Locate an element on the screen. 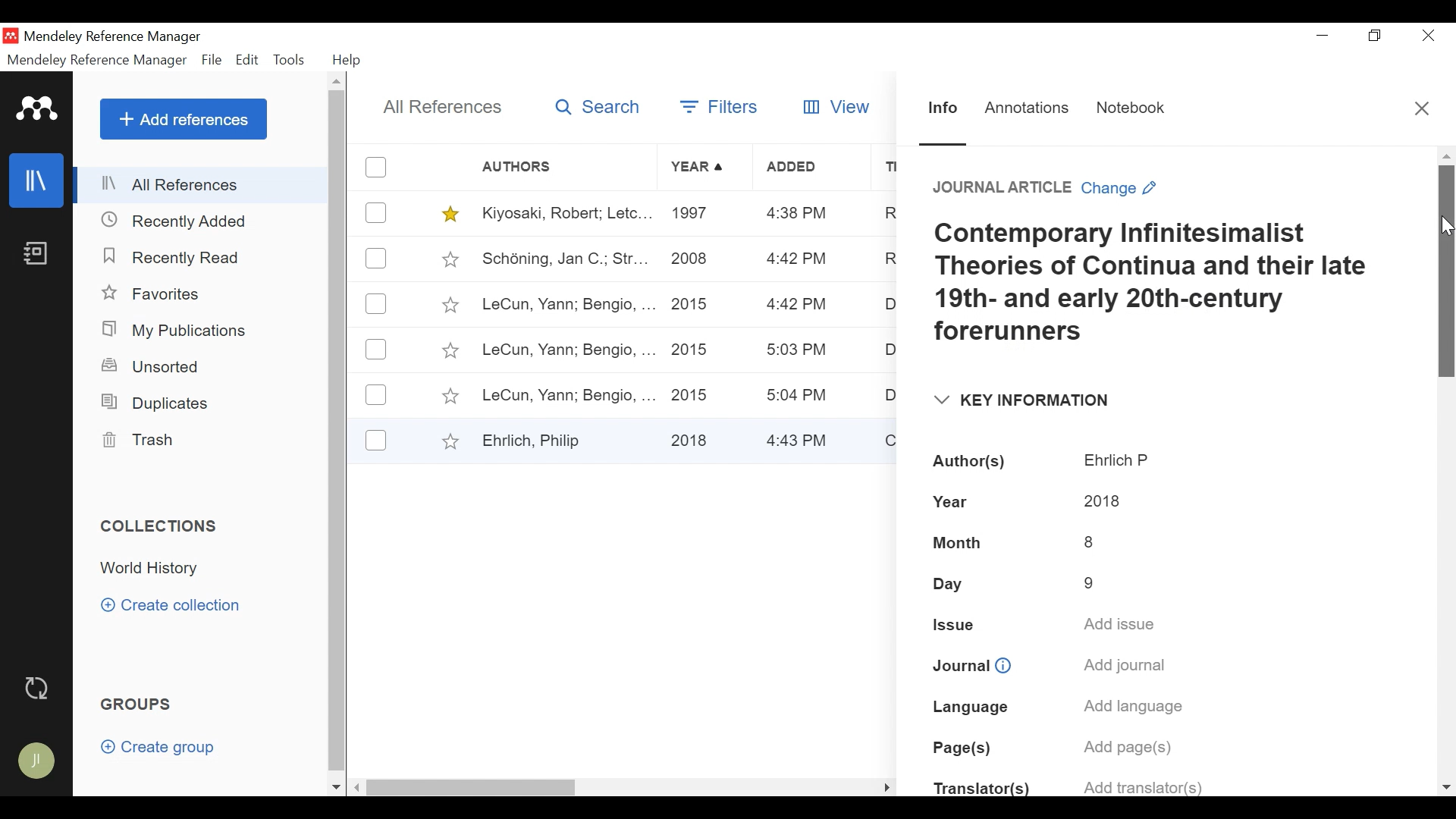  Schéning, Jan C.; Str... is located at coordinates (563, 259).